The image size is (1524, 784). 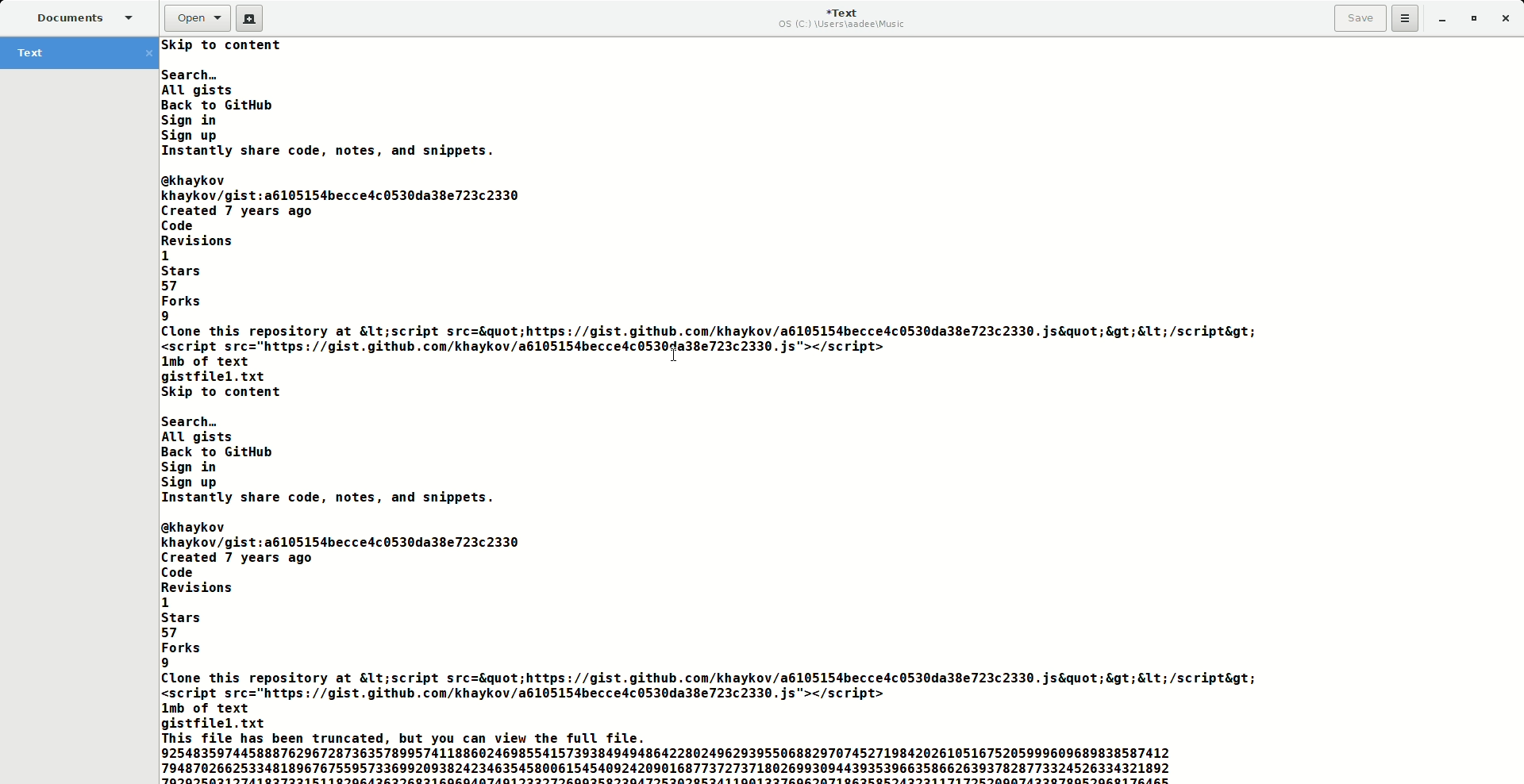 What do you see at coordinates (838, 17) in the screenshot?
I see `gedit - Text file name` at bounding box center [838, 17].